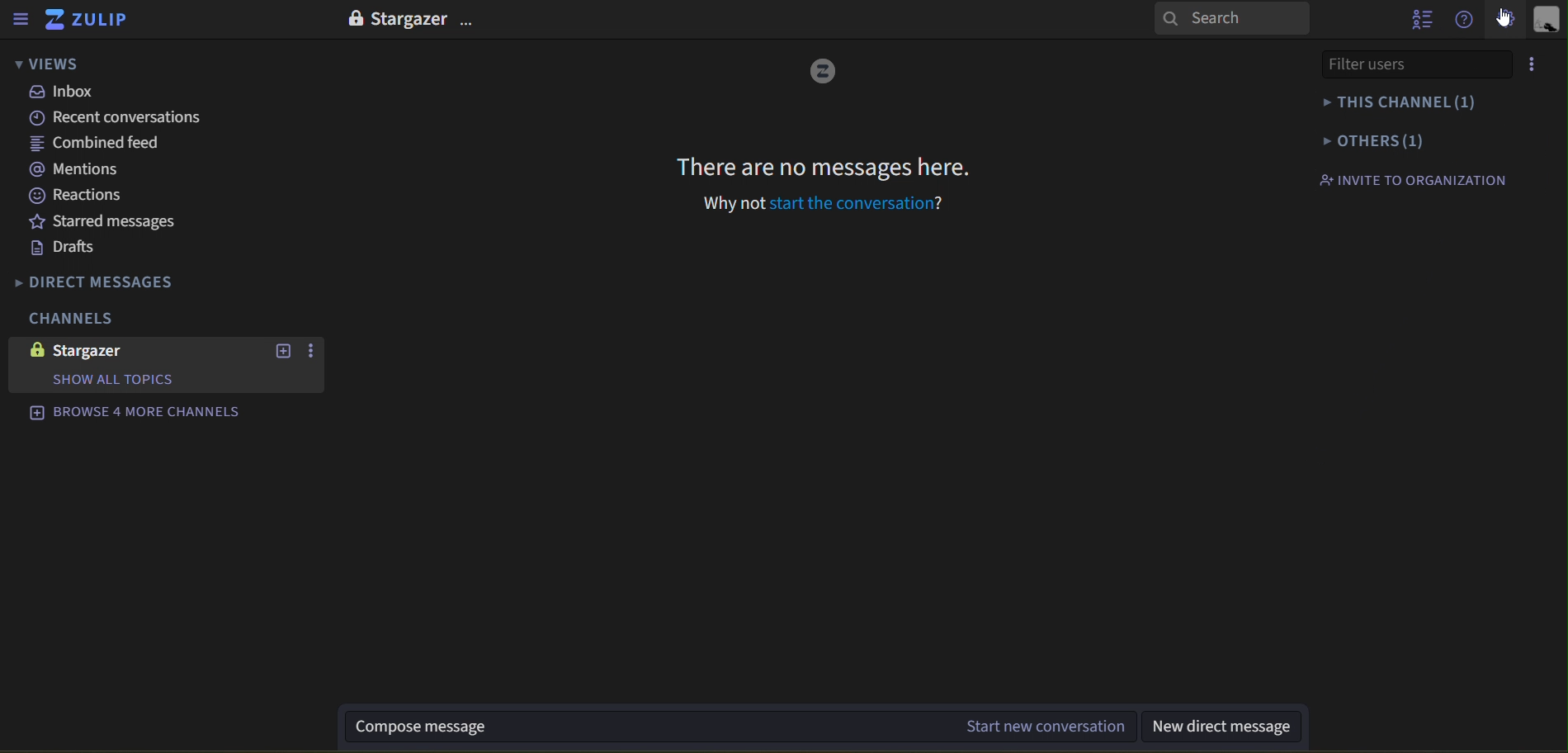 This screenshot has width=1568, height=753. What do you see at coordinates (641, 726) in the screenshot?
I see `Compose message` at bounding box center [641, 726].